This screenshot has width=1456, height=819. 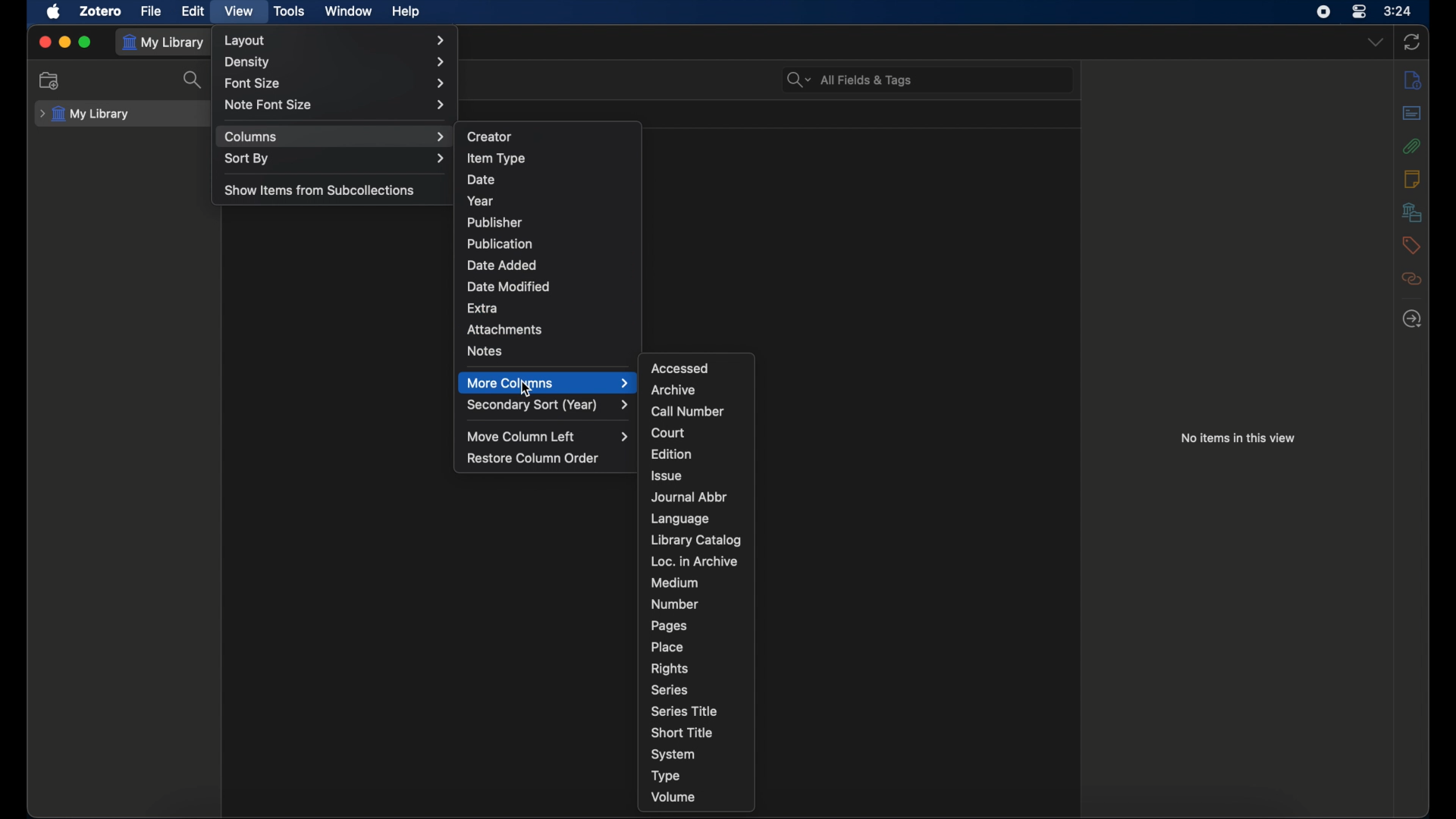 What do you see at coordinates (152, 12) in the screenshot?
I see `file` at bounding box center [152, 12].